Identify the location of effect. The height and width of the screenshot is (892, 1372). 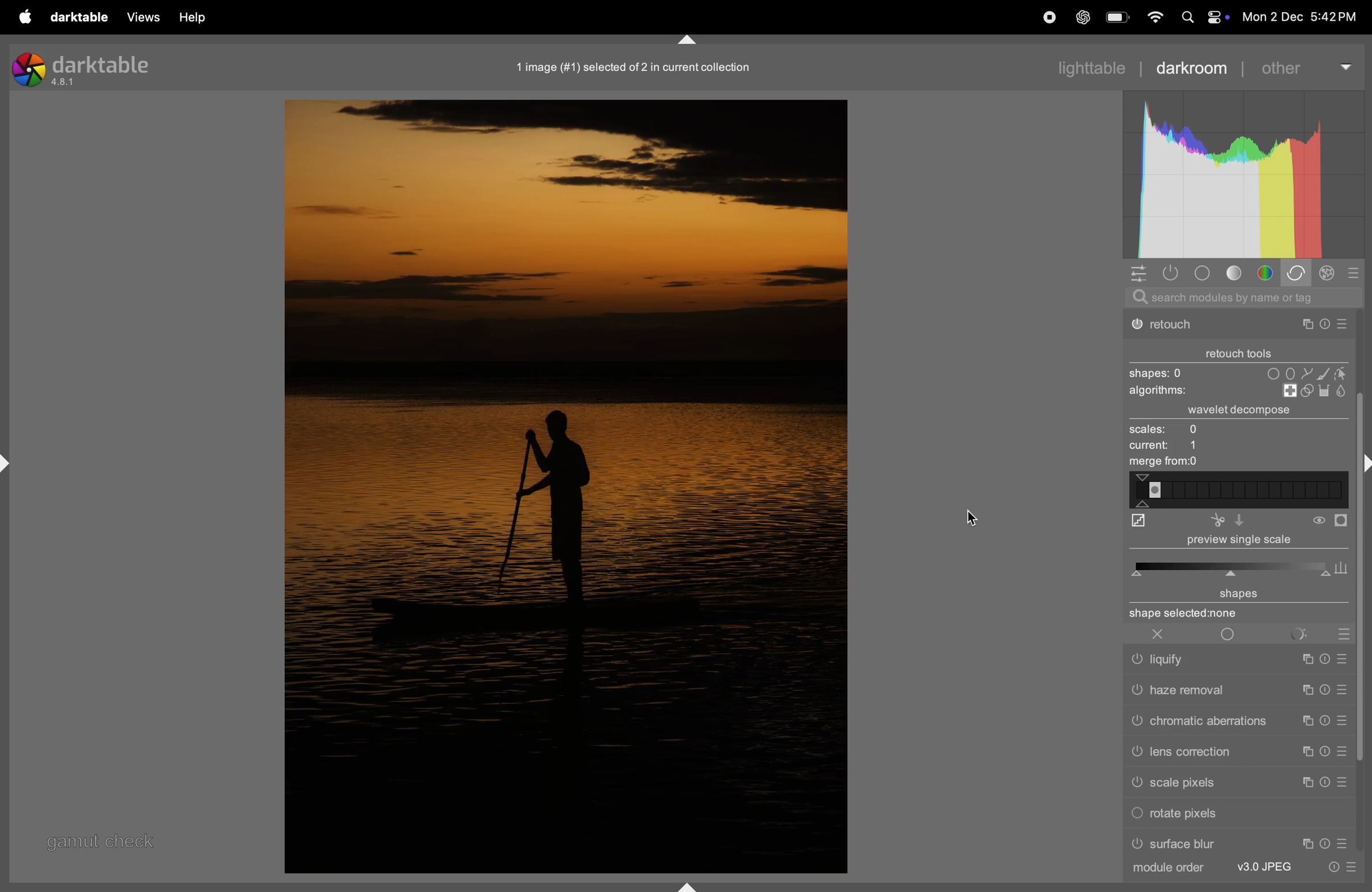
(1329, 275).